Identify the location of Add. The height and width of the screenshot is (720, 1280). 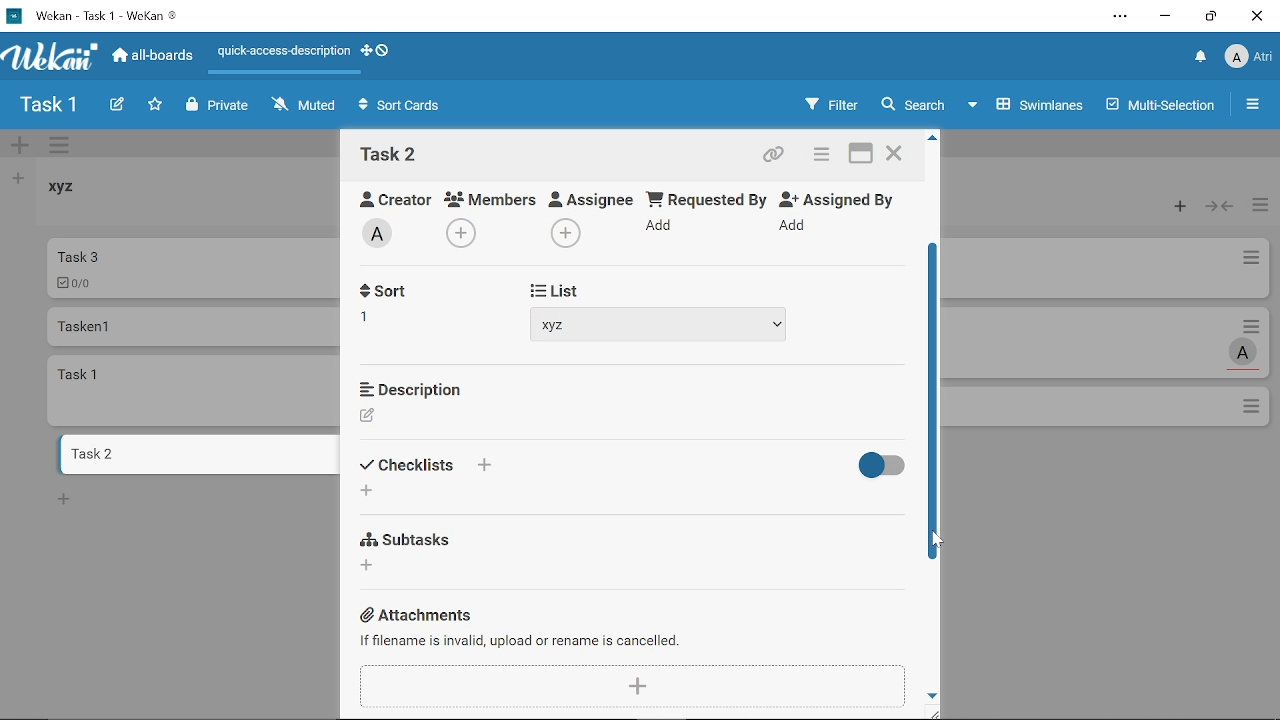
(796, 226).